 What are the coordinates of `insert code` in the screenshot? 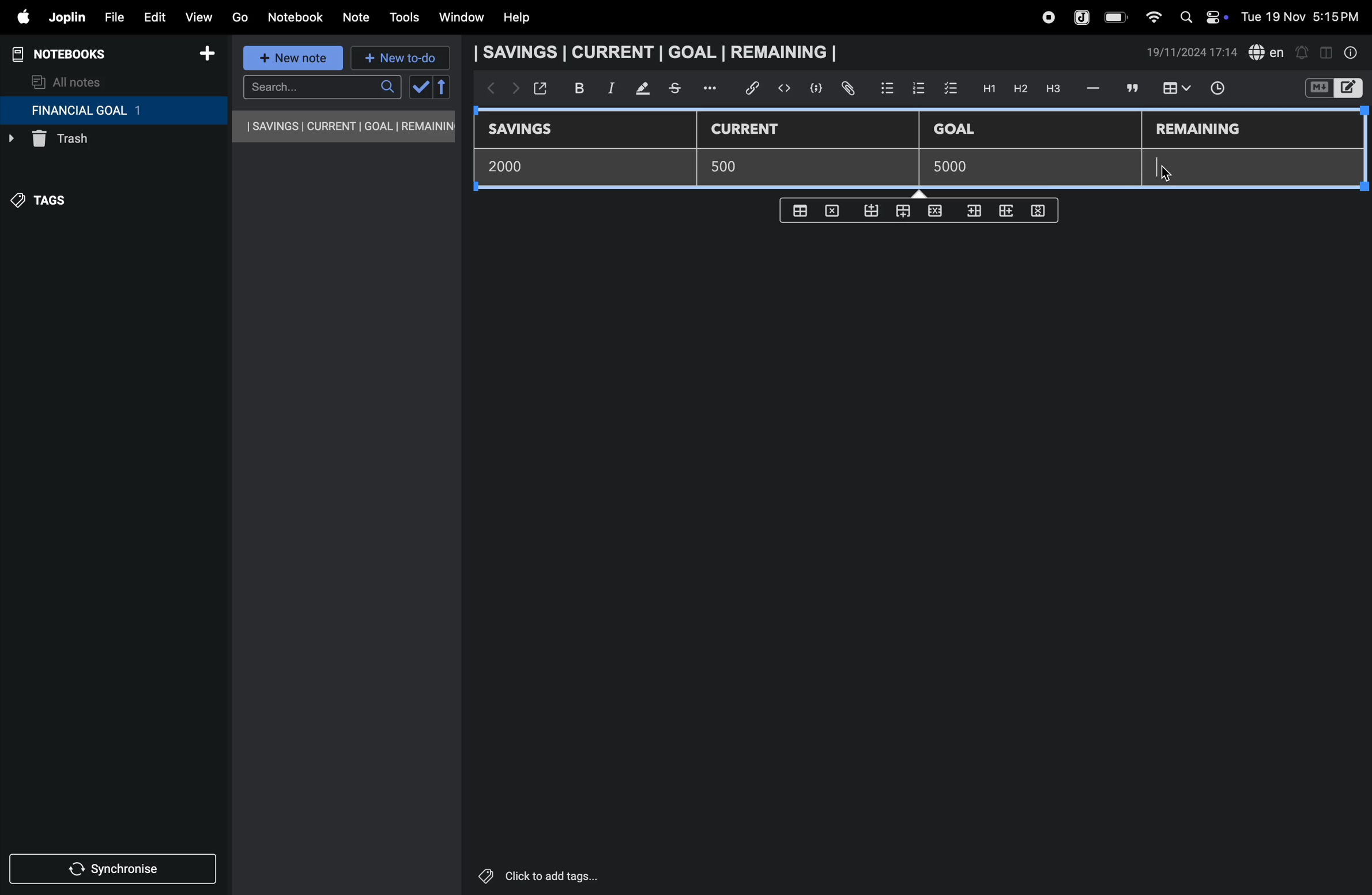 It's located at (785, 88).